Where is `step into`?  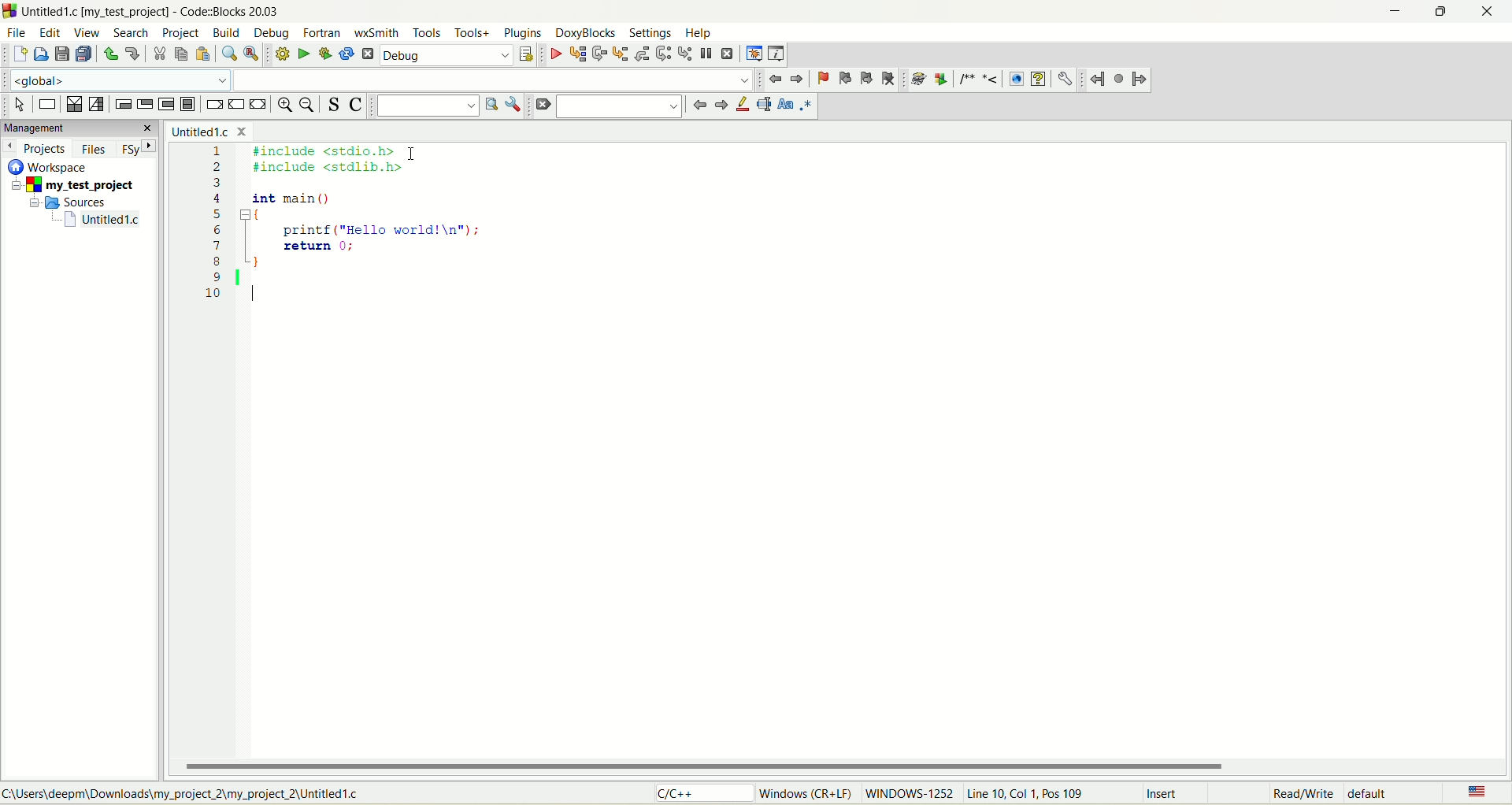 step into is located at coordinates (620, 54).